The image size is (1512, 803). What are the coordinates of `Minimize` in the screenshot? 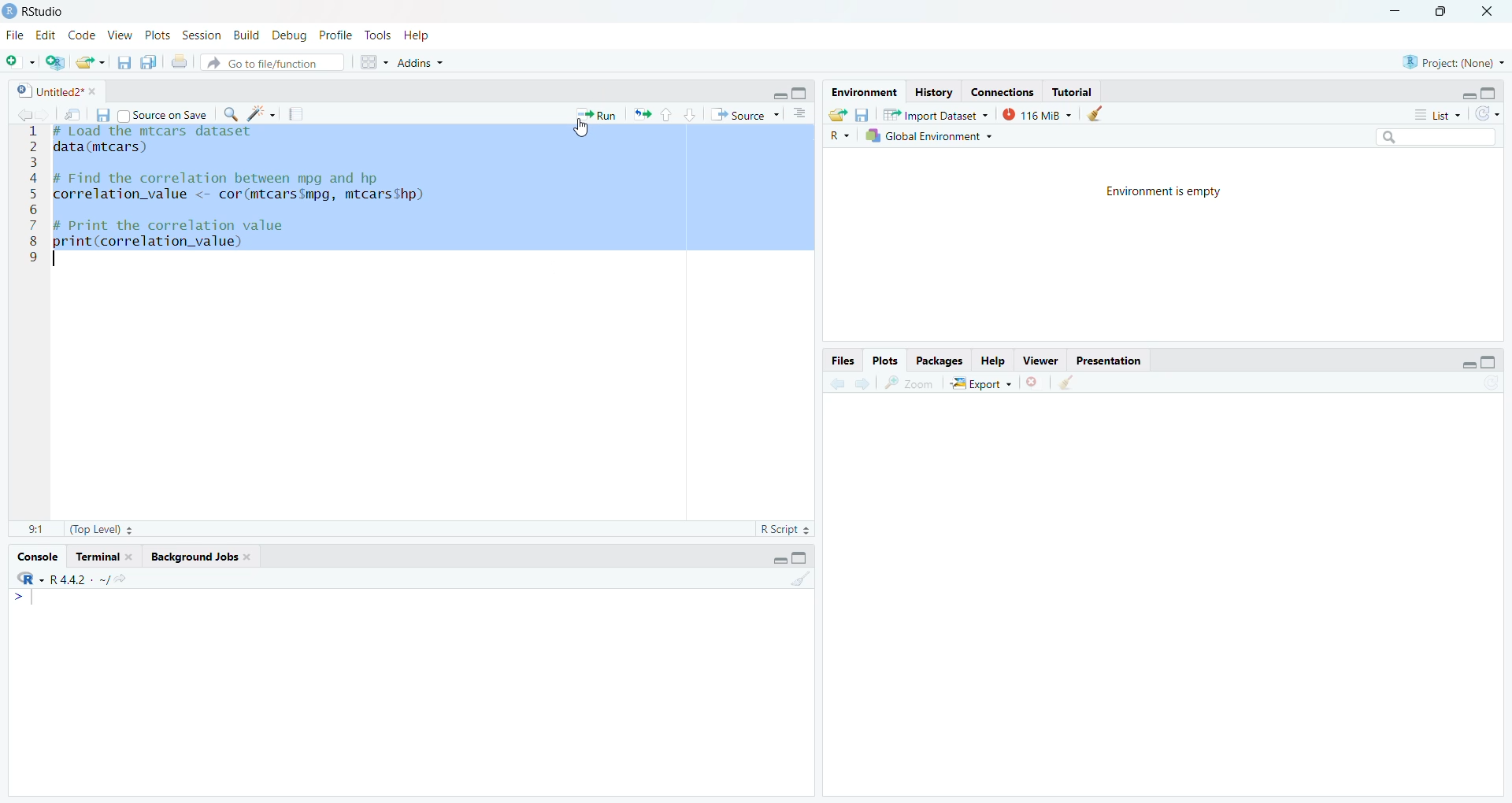 It's located at (1468, 95).